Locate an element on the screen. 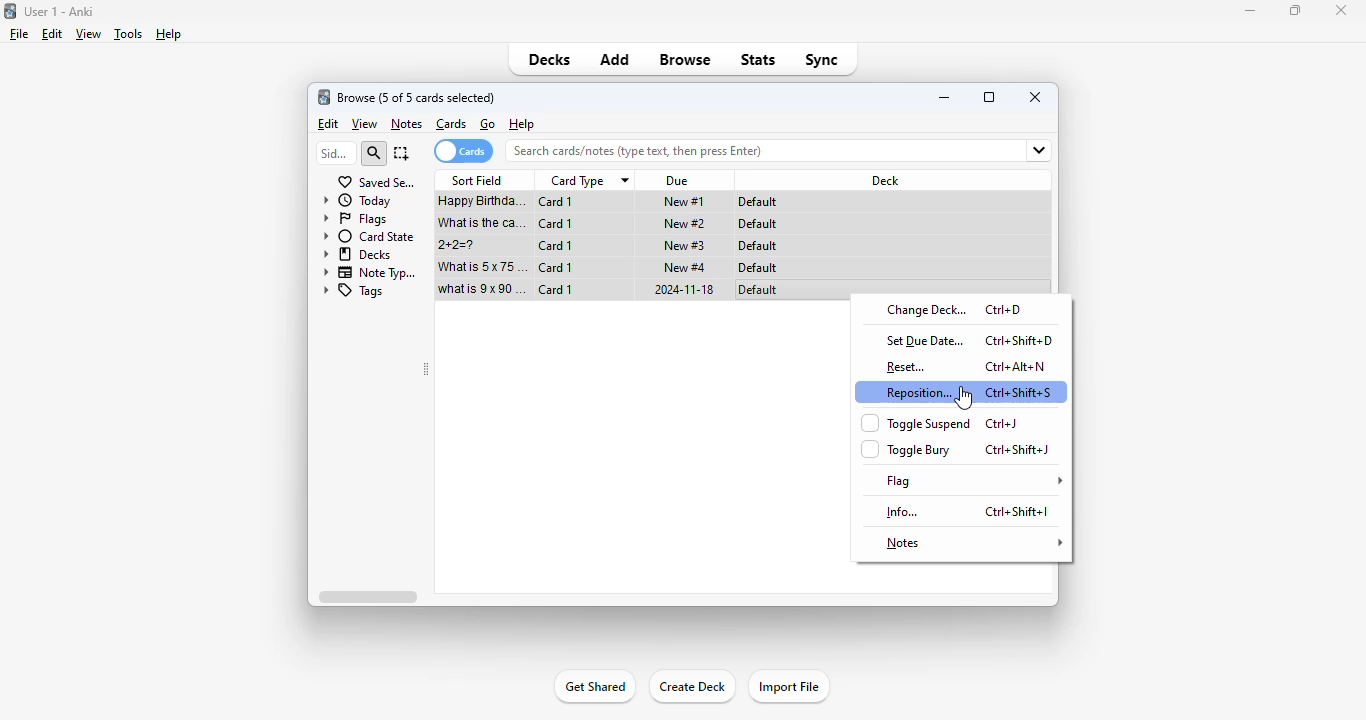 The image size is (1366, 720). maximize is located at coordinates (989, 96).